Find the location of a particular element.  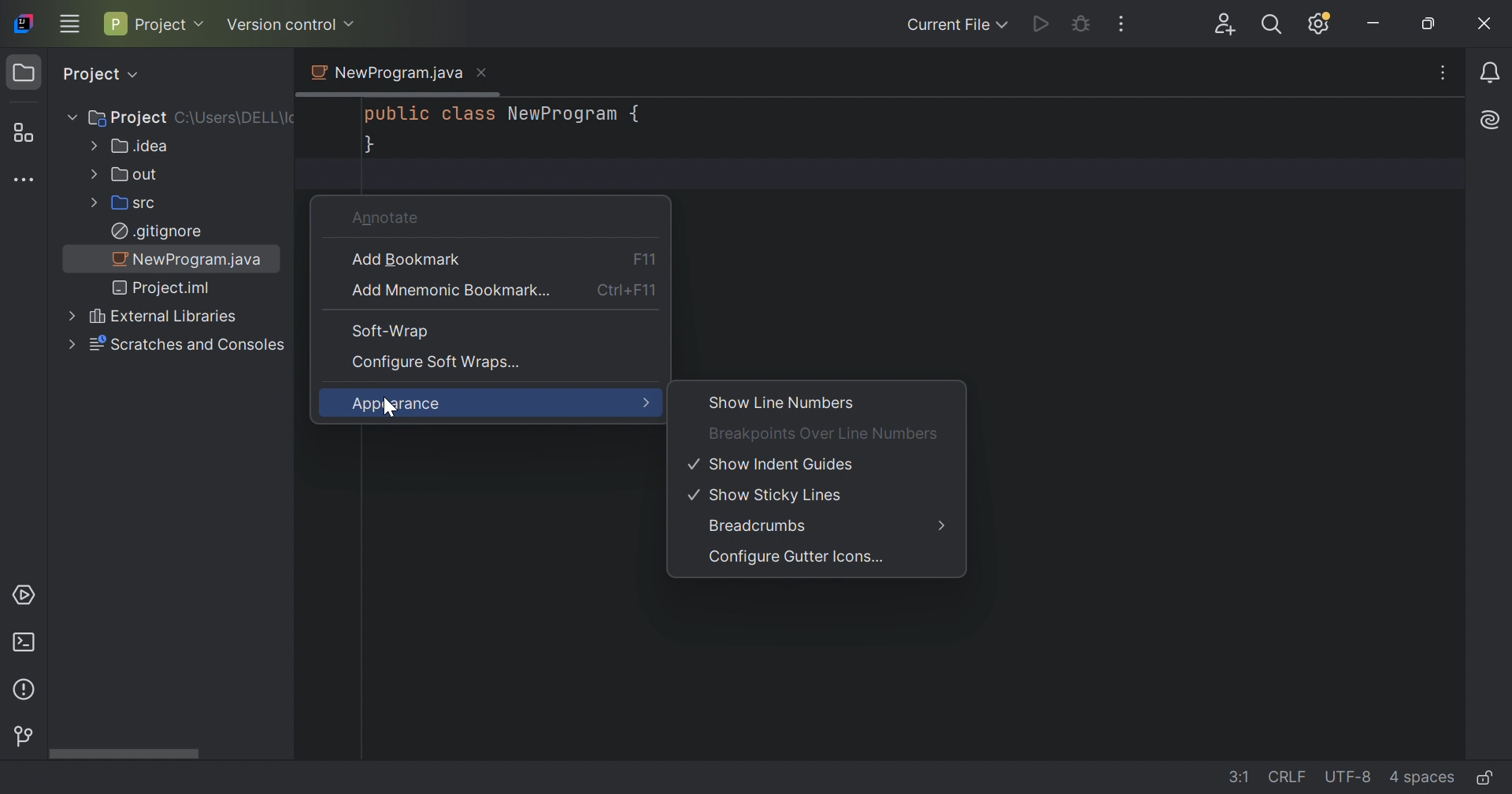

Notifications is located at coordinates (1490, 74).